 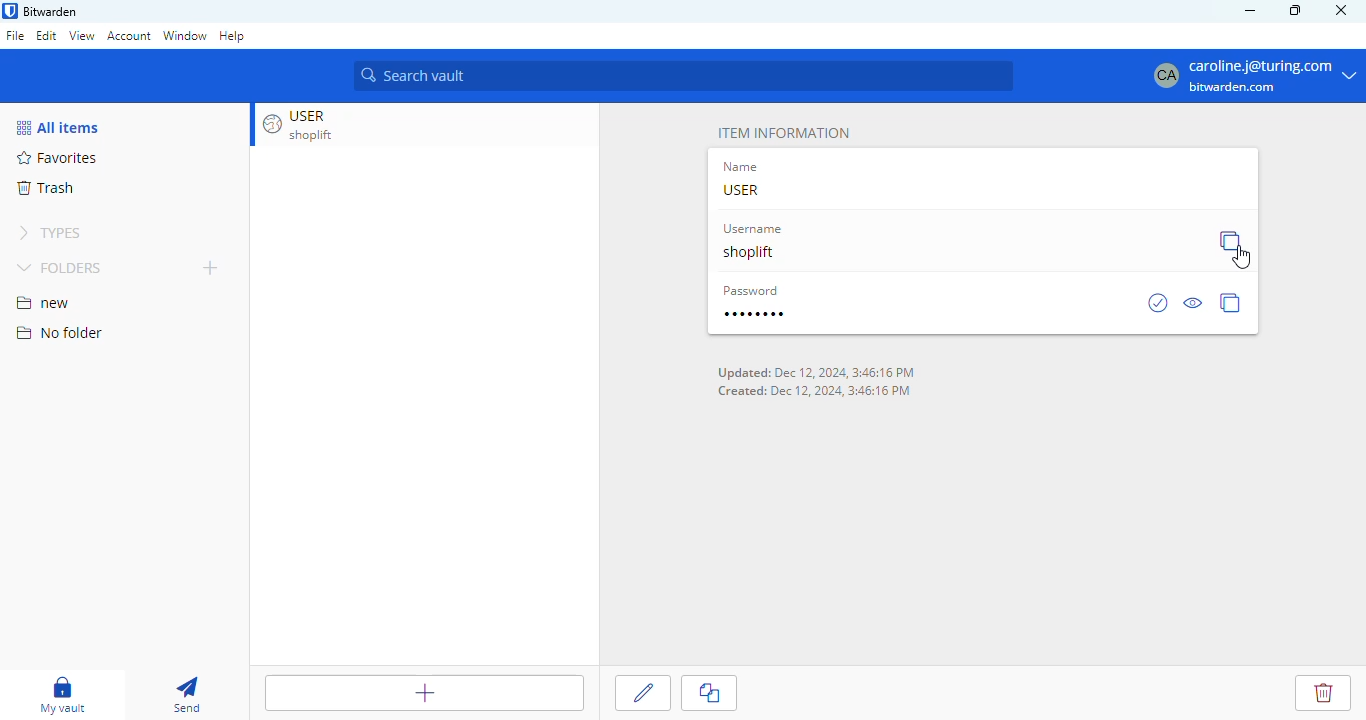 I want to click on username, so click(x=753, y=229).